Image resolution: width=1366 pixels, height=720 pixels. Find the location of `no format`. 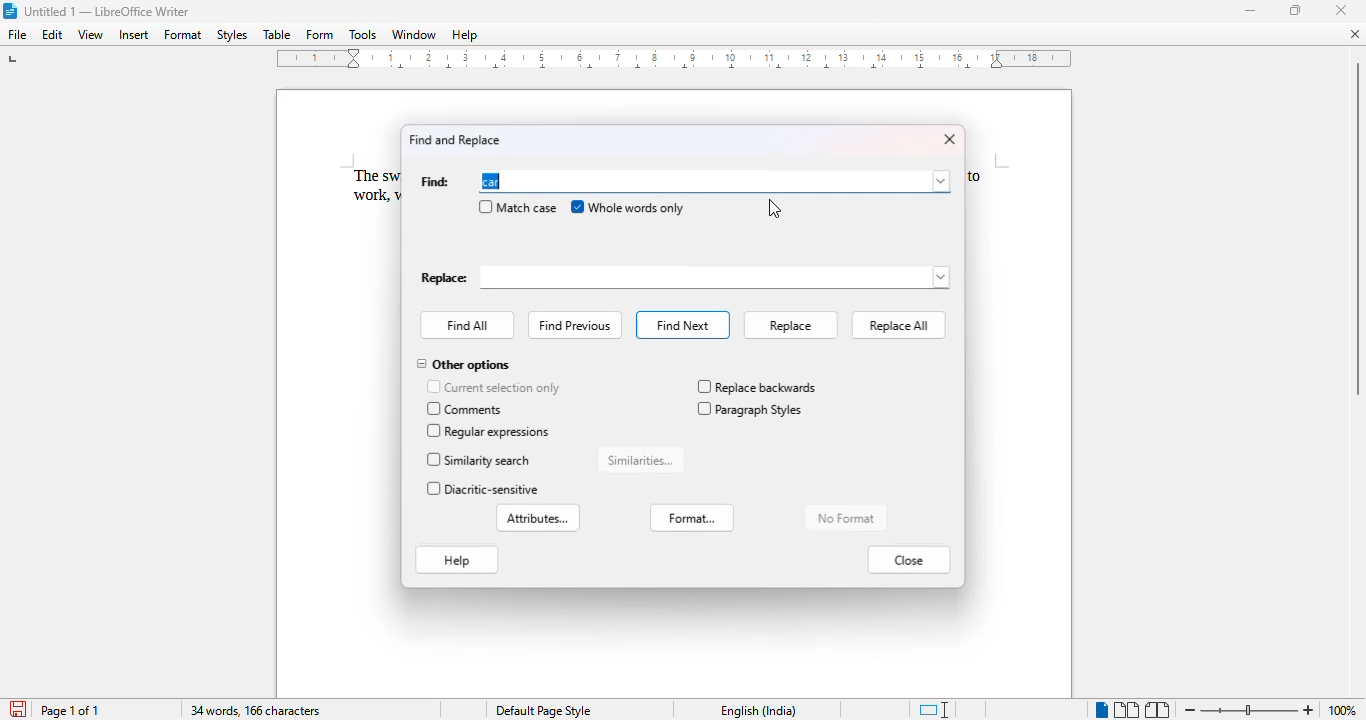

no format is located at coordinates (844, 517).